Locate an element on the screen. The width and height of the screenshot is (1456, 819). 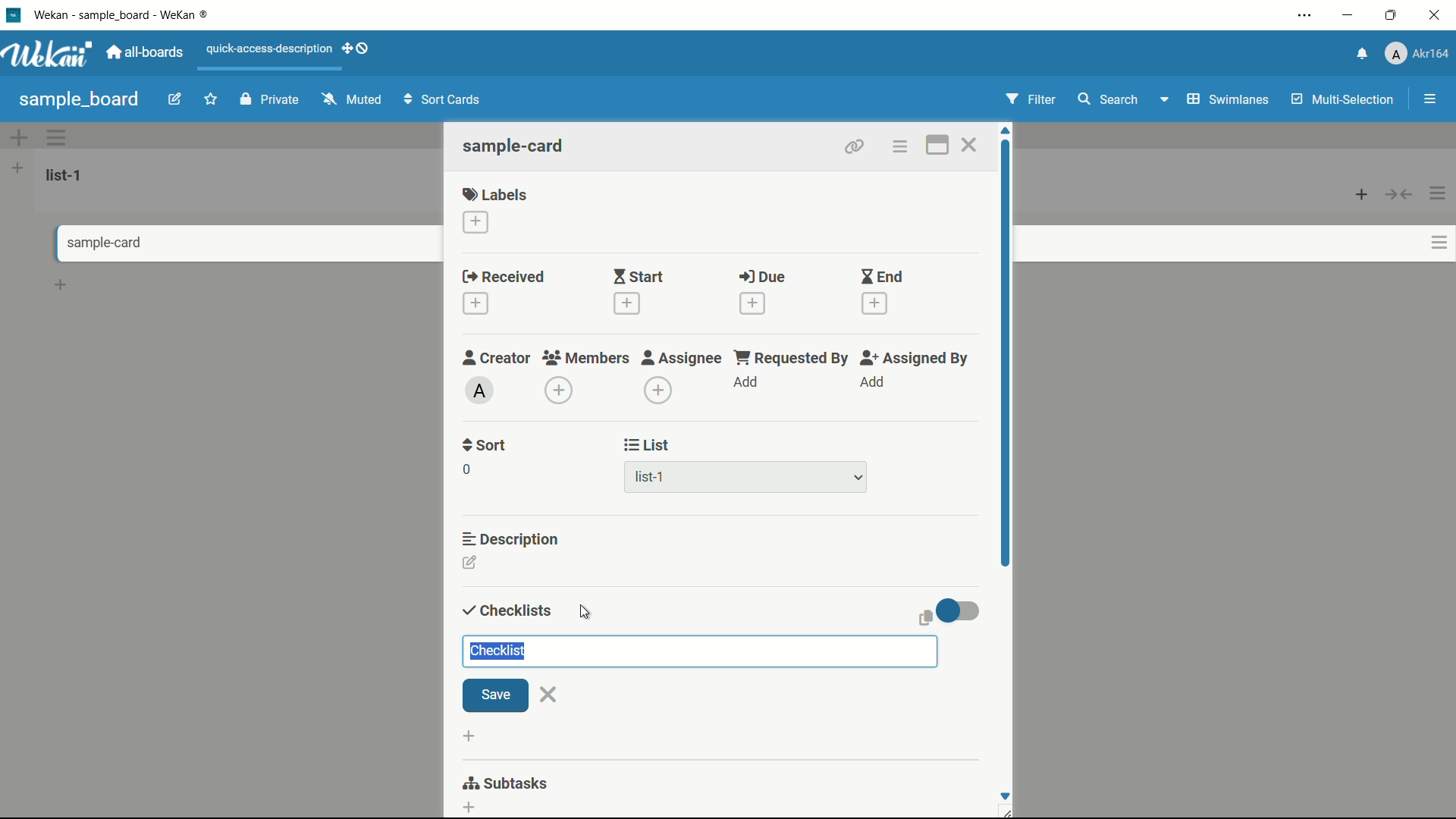
members is located at coordinates (585, 359).